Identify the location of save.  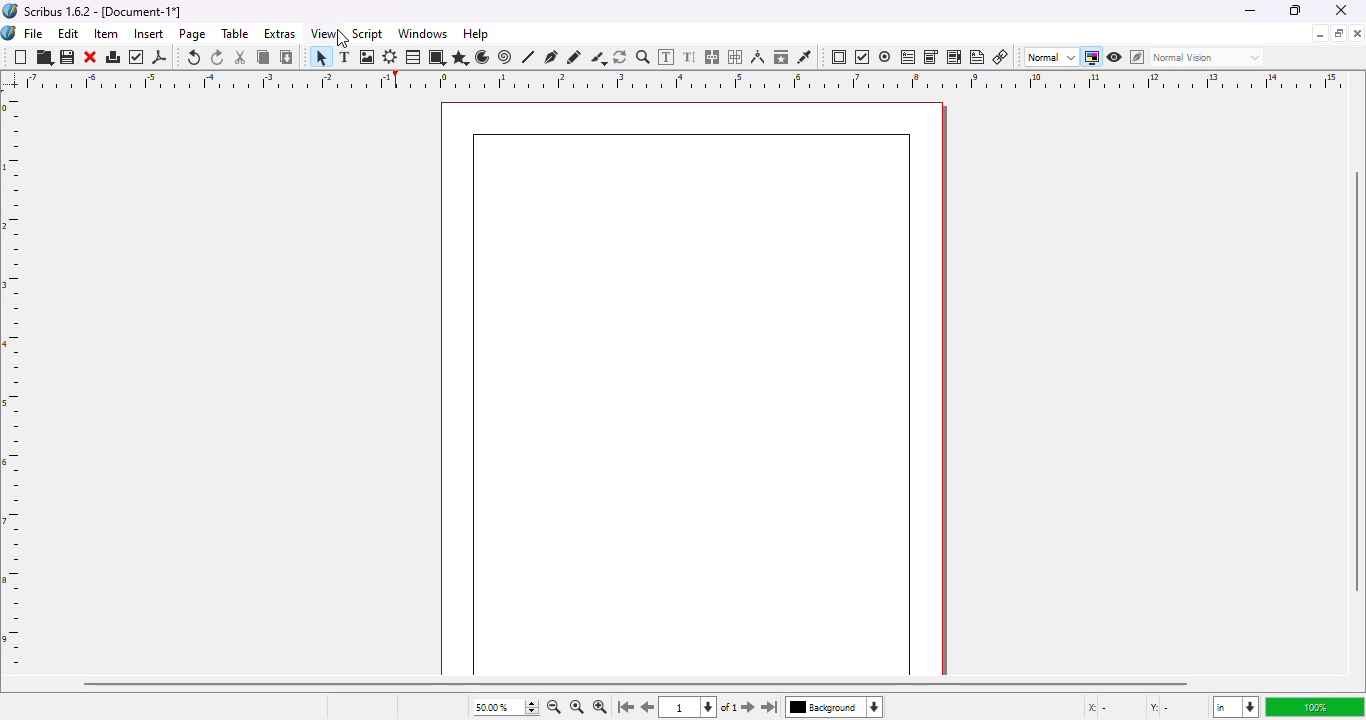
(68, 58).